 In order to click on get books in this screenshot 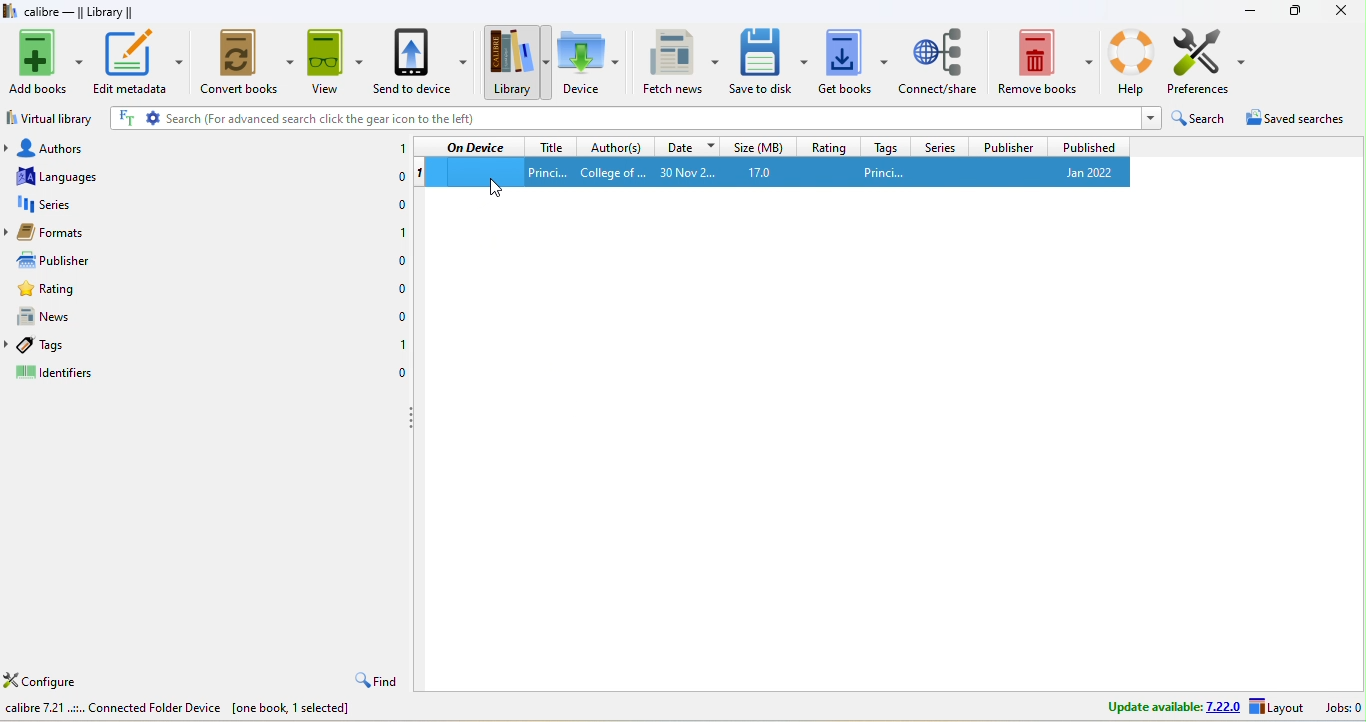, I will do `click(853, 60)`.